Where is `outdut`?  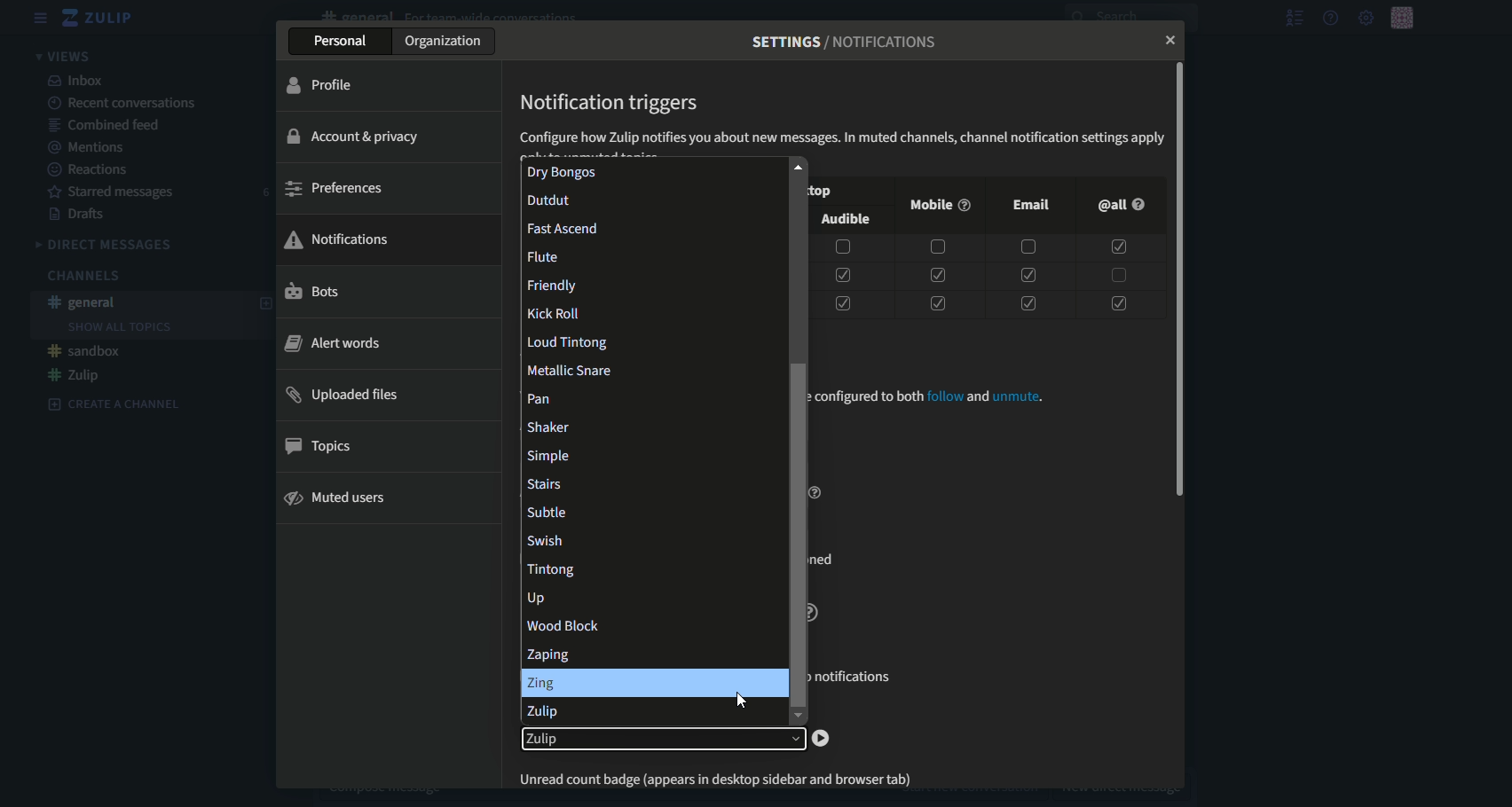
outdut is located at coordinates (649, 200).